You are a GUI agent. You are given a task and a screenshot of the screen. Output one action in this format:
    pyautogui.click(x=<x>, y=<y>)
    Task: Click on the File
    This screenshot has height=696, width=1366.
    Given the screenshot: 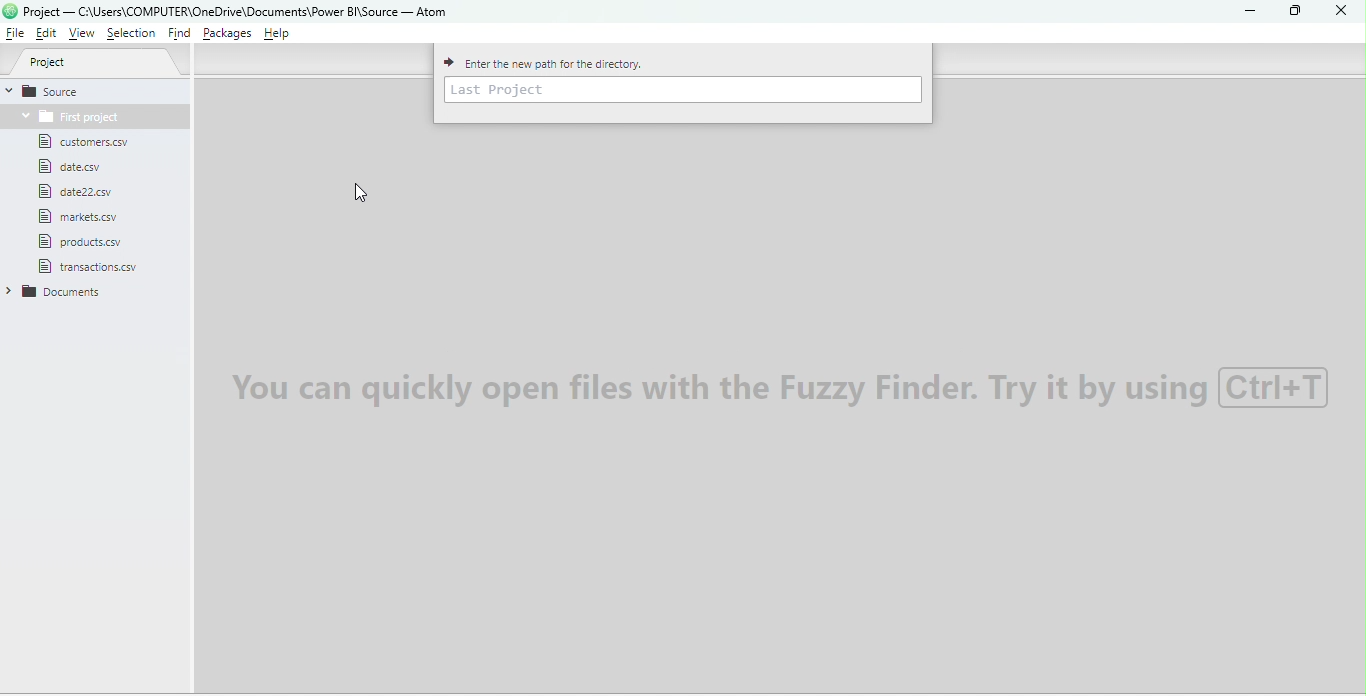 What is the action you would take?
    pyautogui.click(x=15, y=34)
    